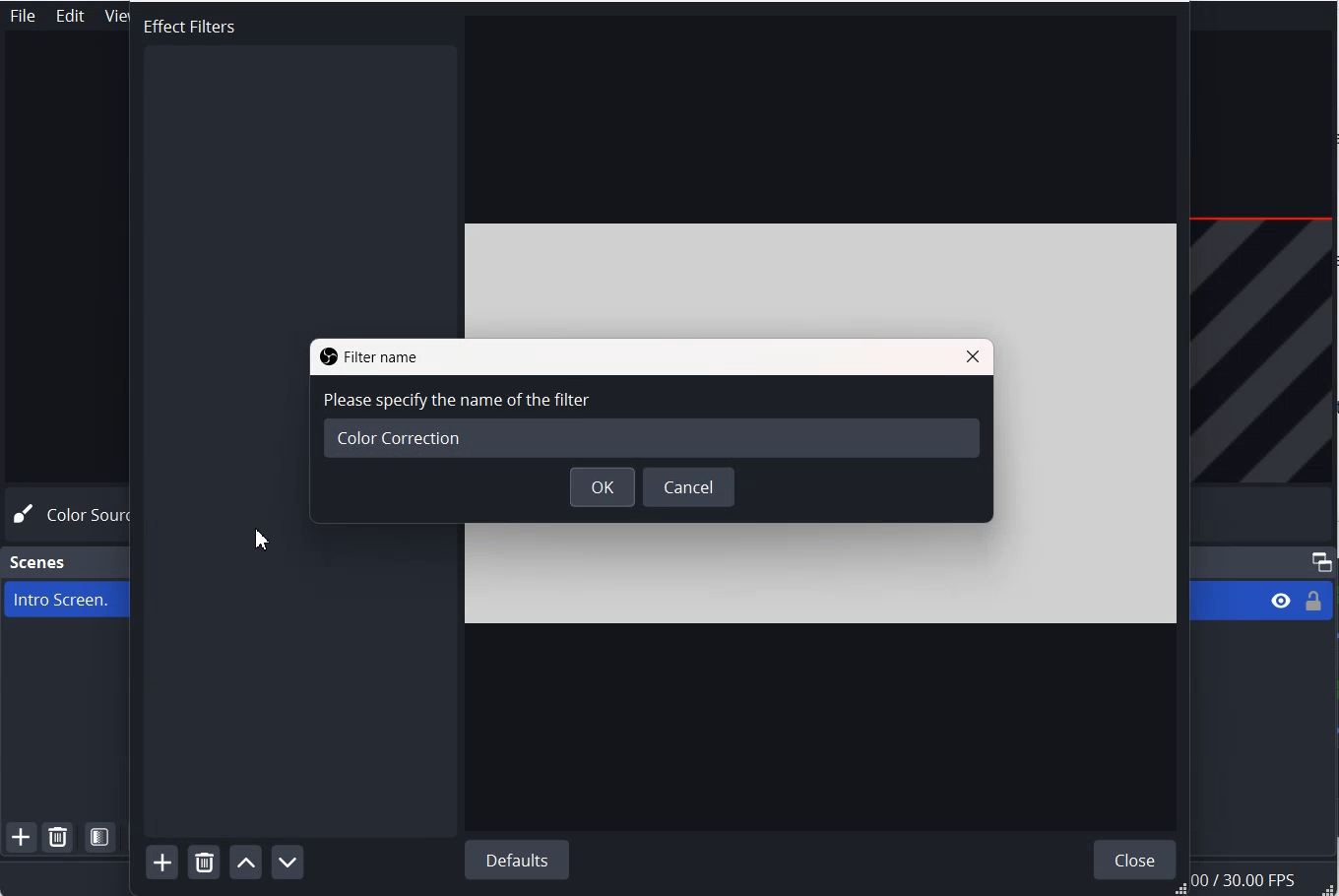  Describe the element at coordinates (287, 861) in the screenshot. I see `Move Filter down` at that location.